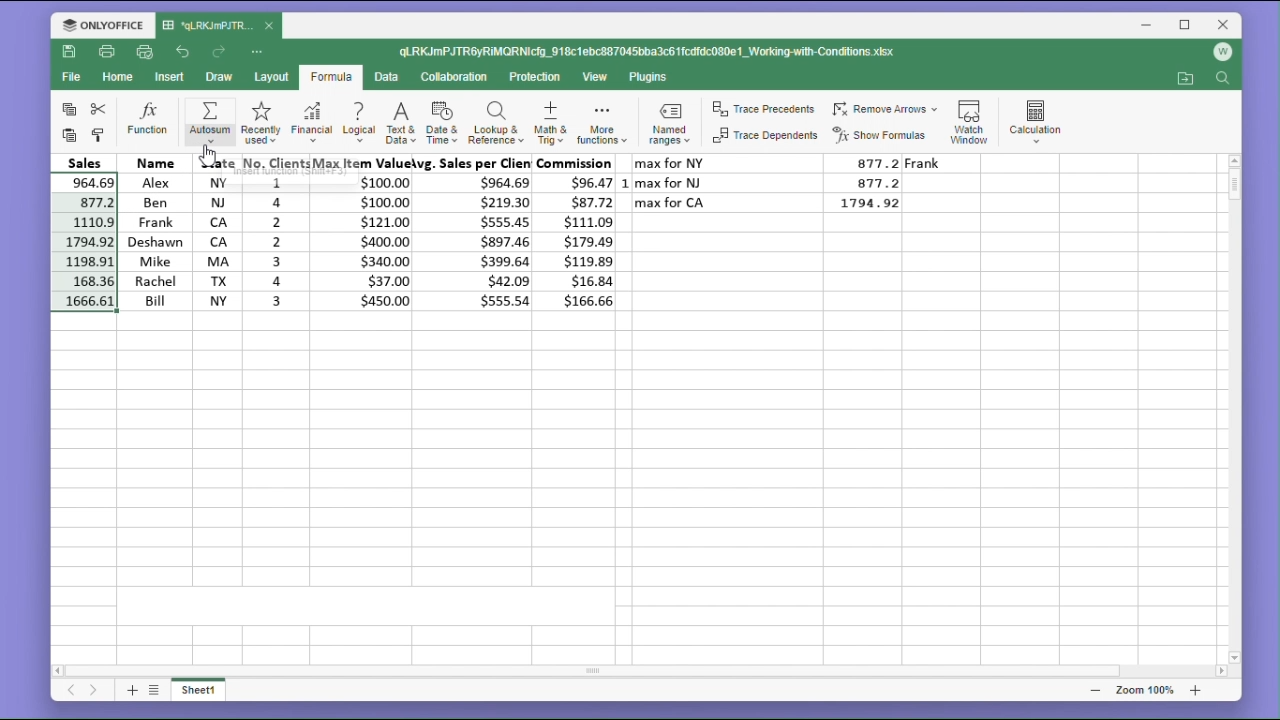 The image size is (1280, 720). What do you see at coordinates (219, 78) in the screenshot?
I see `draw` at bounding box center [219, 78].